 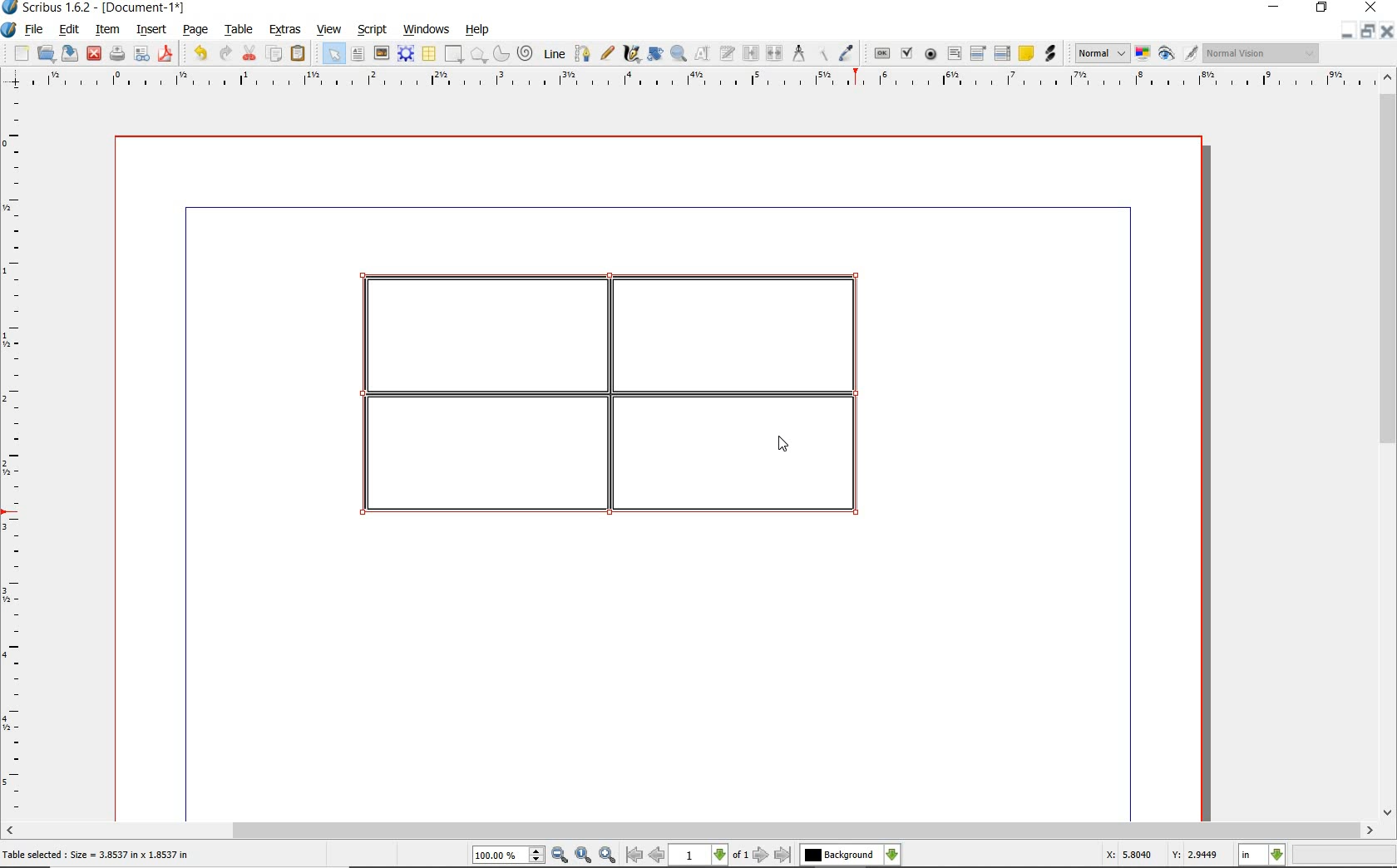 What do you see at coordinates (503, 55) in the screenshot?
I see `arc` at bounding box center [503, 55].